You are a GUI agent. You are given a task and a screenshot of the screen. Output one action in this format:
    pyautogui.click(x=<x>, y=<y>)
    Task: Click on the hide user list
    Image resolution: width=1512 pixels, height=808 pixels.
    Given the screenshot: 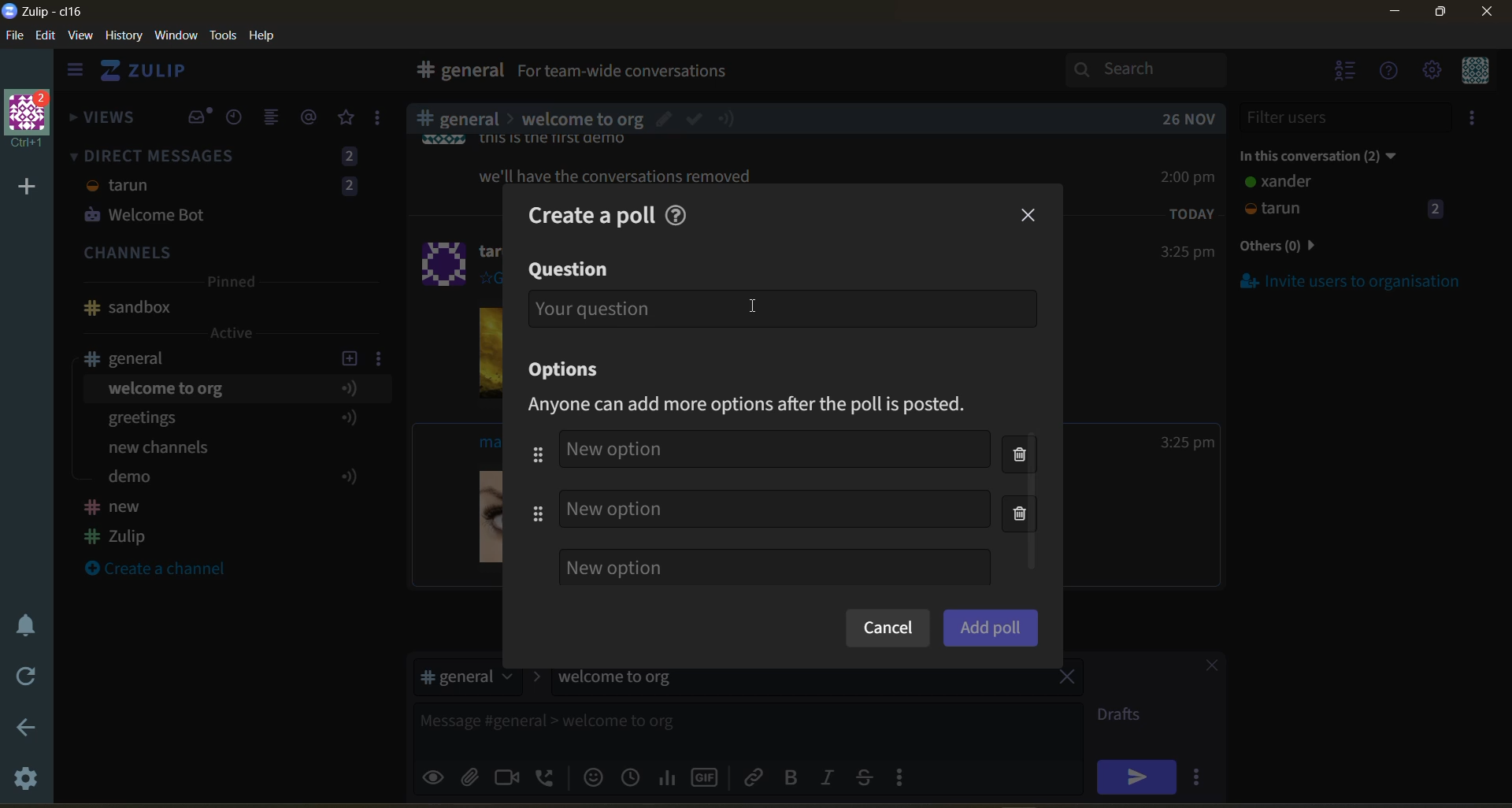 What is the action you would take?
    pyautogui.click(x=1346, y=72)
    